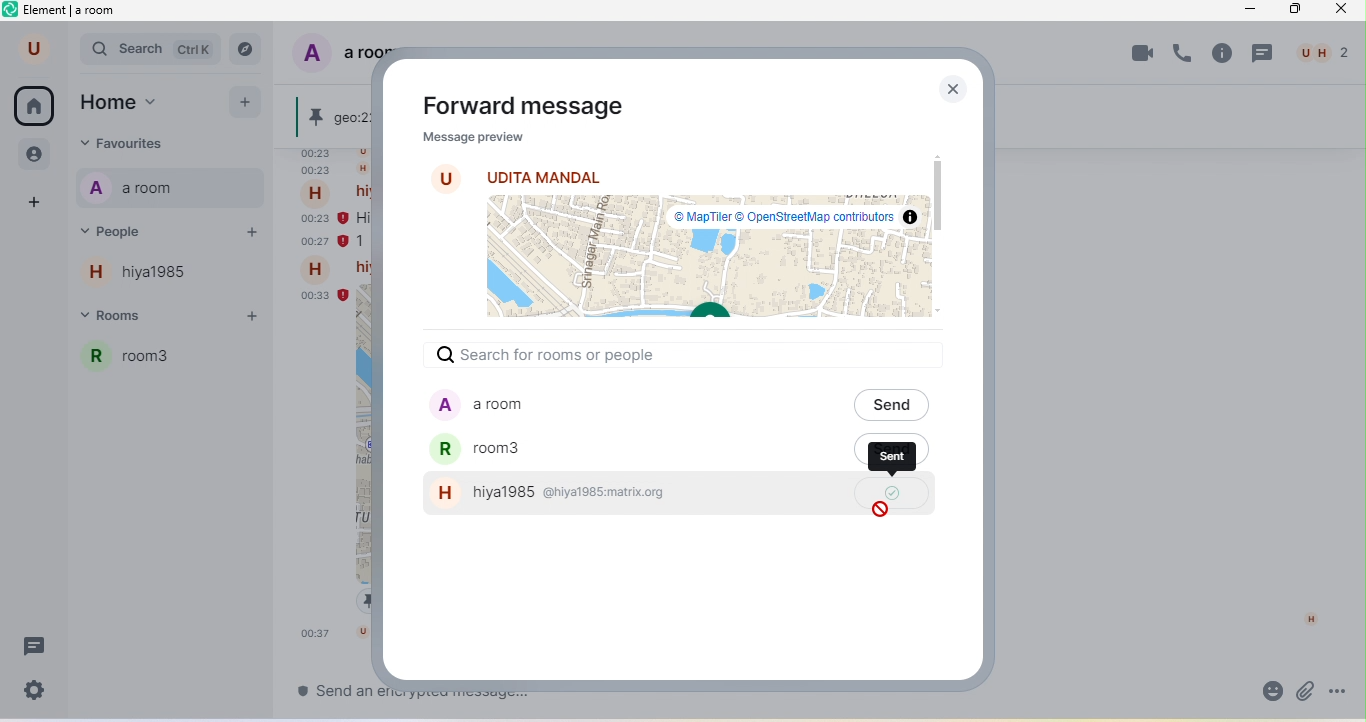  I want to click on minimize, so click(1252, 12).